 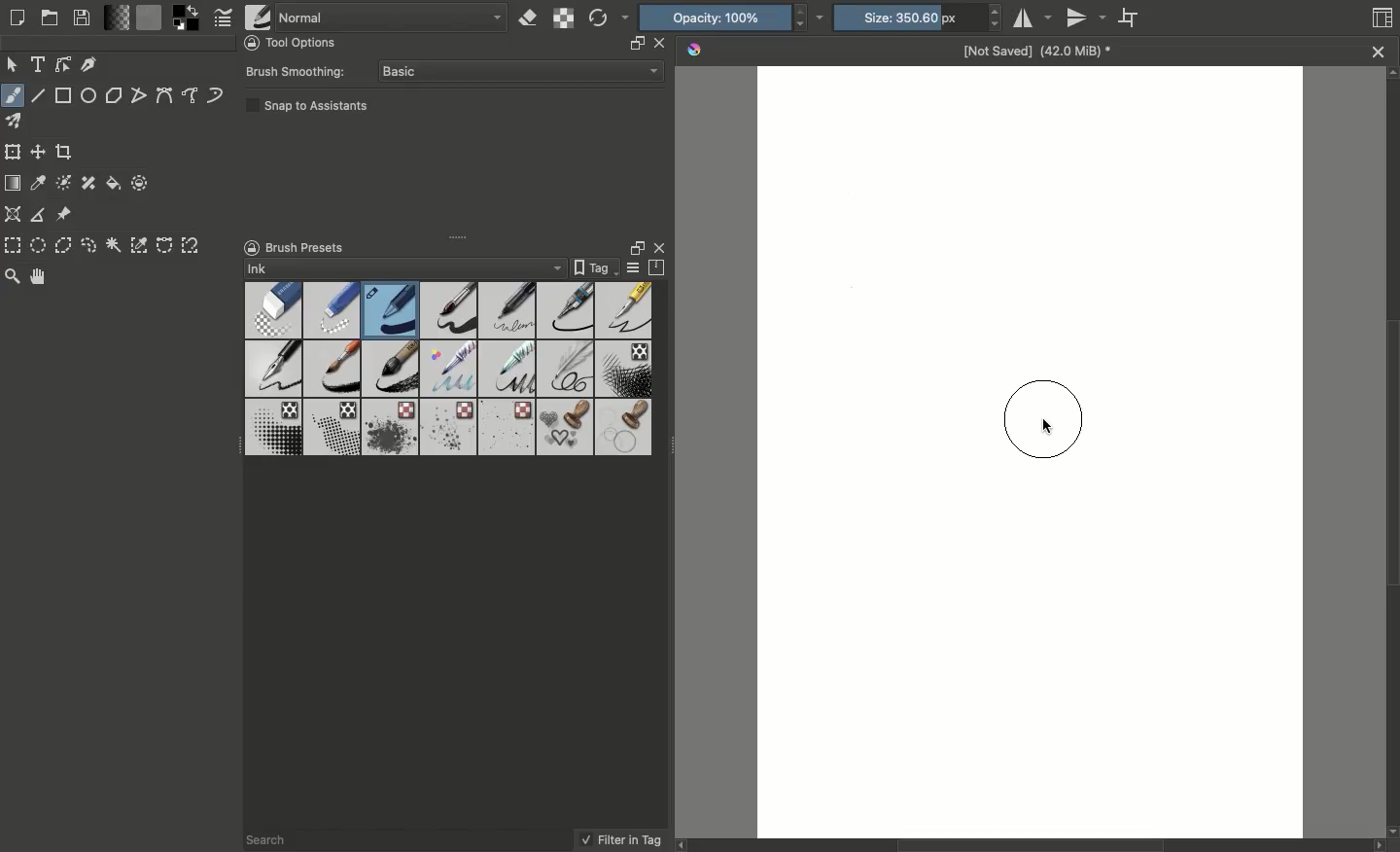 What do you see at coordinates (393, 16) in the screenshot?
I see `Normal` at bounding box center [393, 16].